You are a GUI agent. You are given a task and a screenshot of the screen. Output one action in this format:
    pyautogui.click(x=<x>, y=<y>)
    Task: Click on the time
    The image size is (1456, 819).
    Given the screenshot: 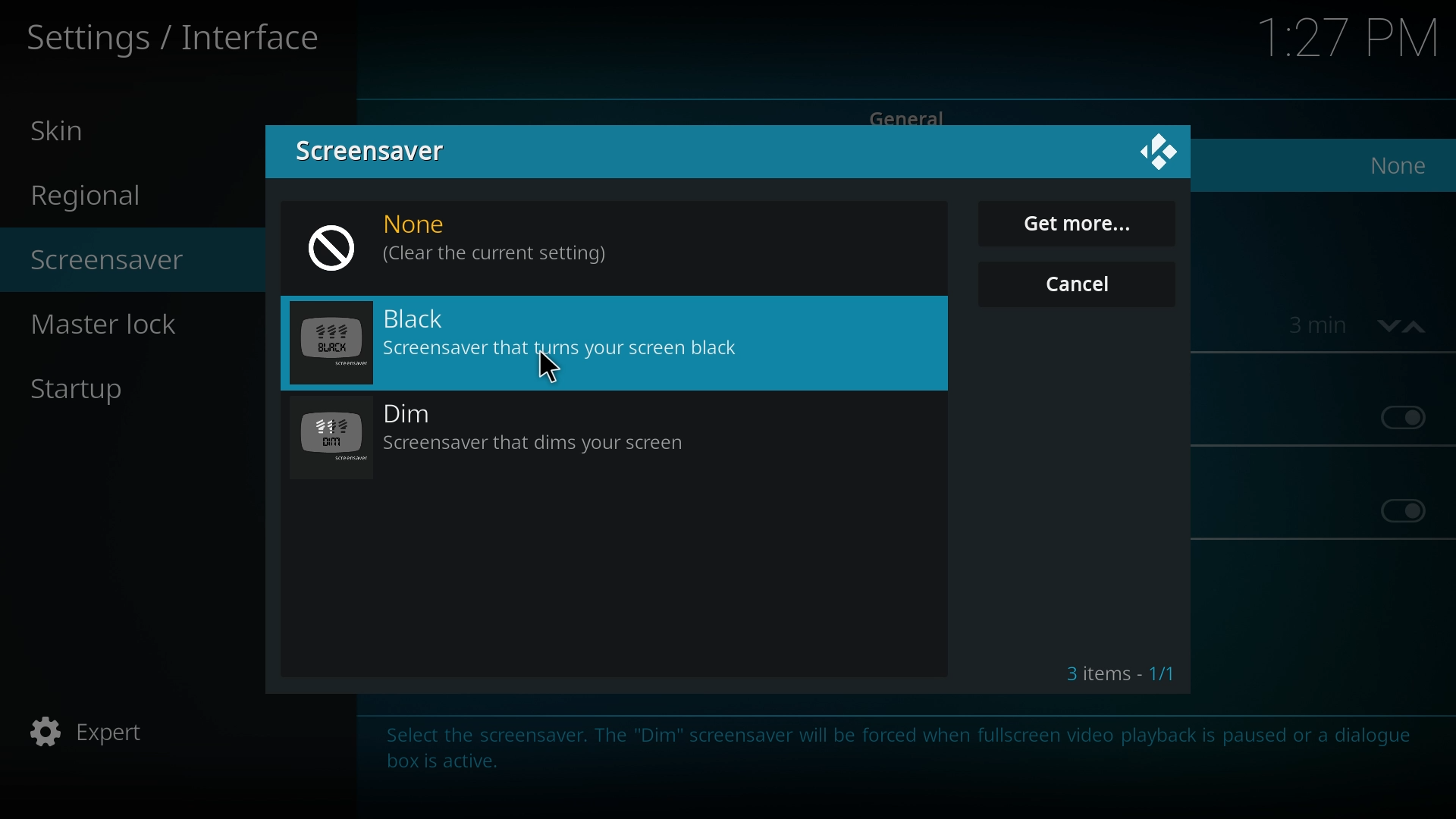 What is the action you would take?
    pyautogui.click(x=1318, y=325)
    